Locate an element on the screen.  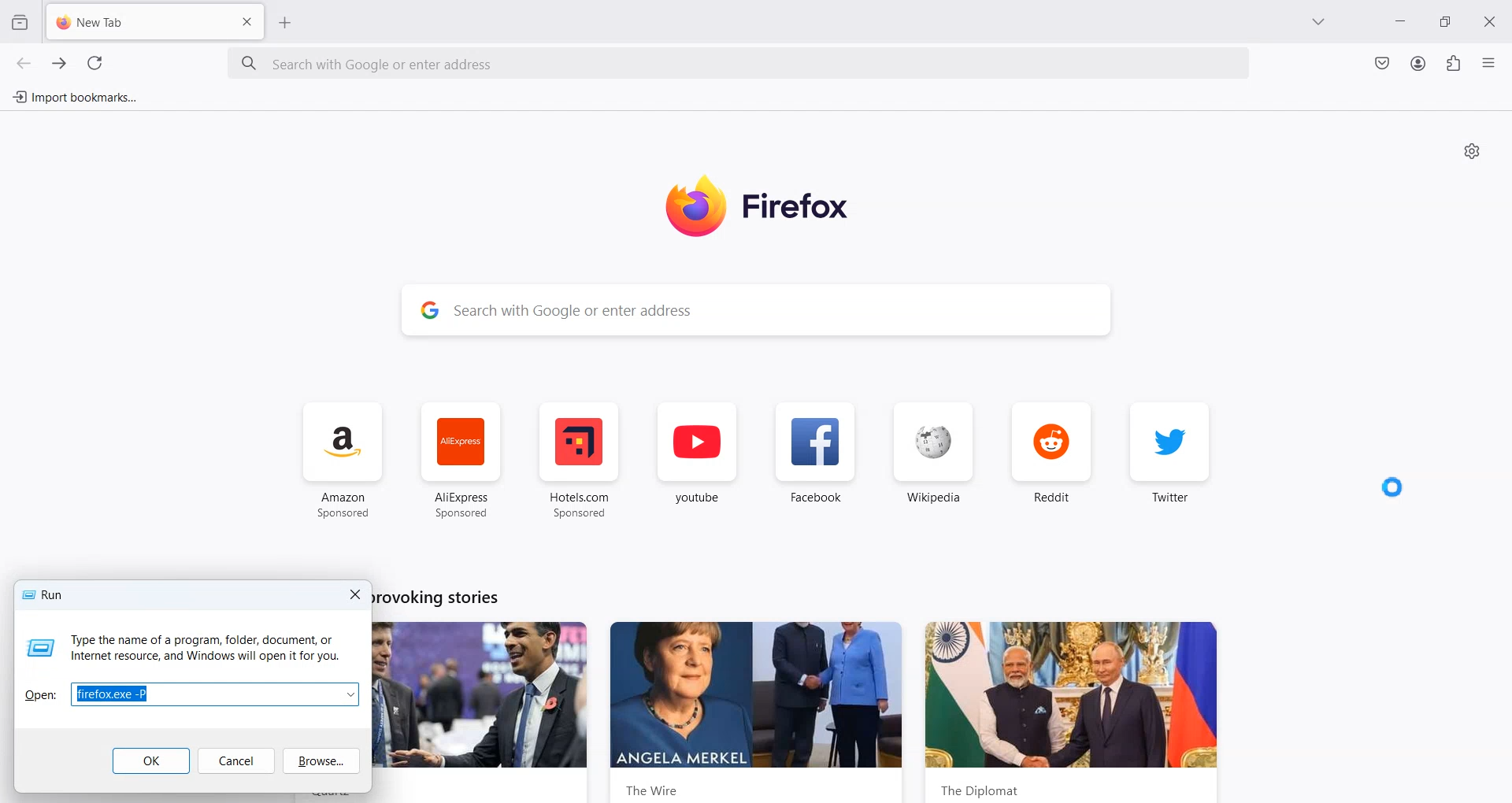
google logo is located at coordinates (427, 312).